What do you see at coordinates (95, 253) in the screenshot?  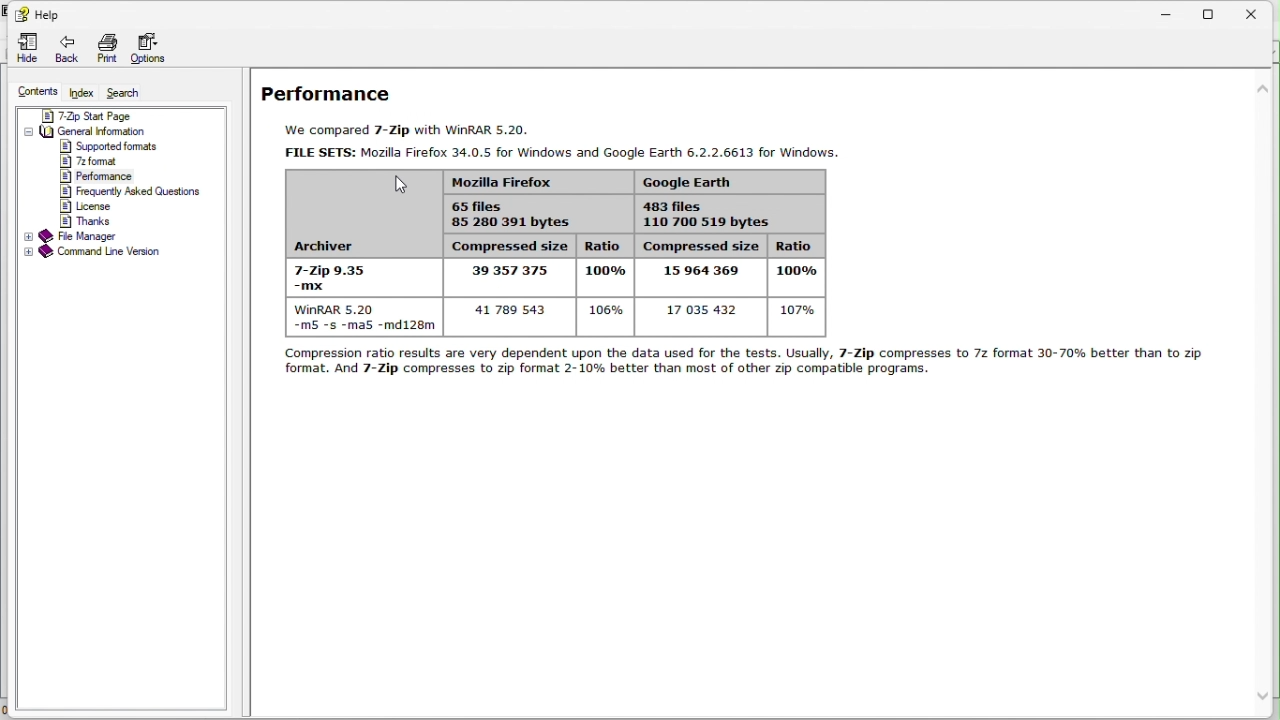 I see `Command line version` at bounding box center [95, 253].